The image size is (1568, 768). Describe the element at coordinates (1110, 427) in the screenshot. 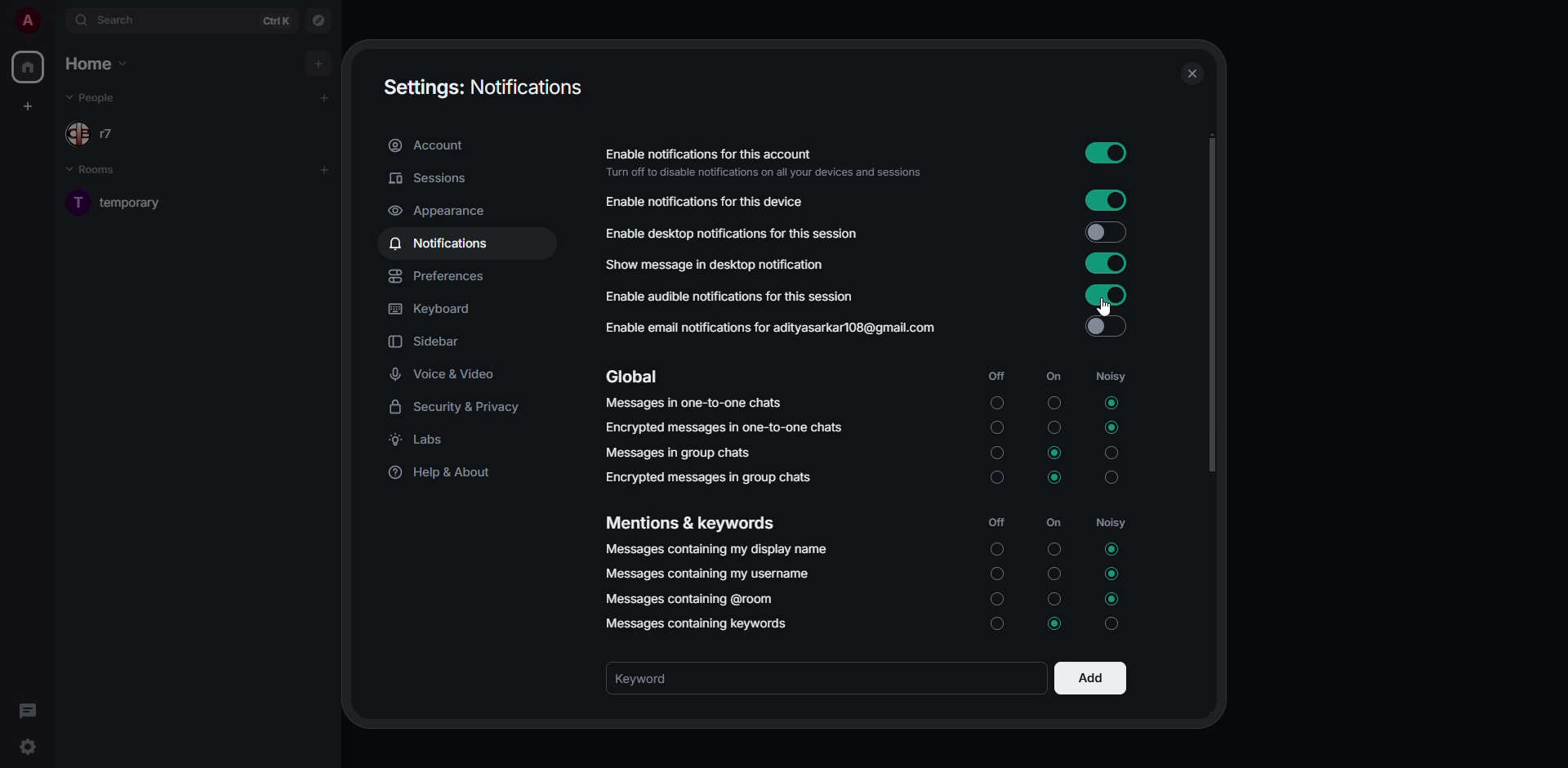

I see `selected` at that location.